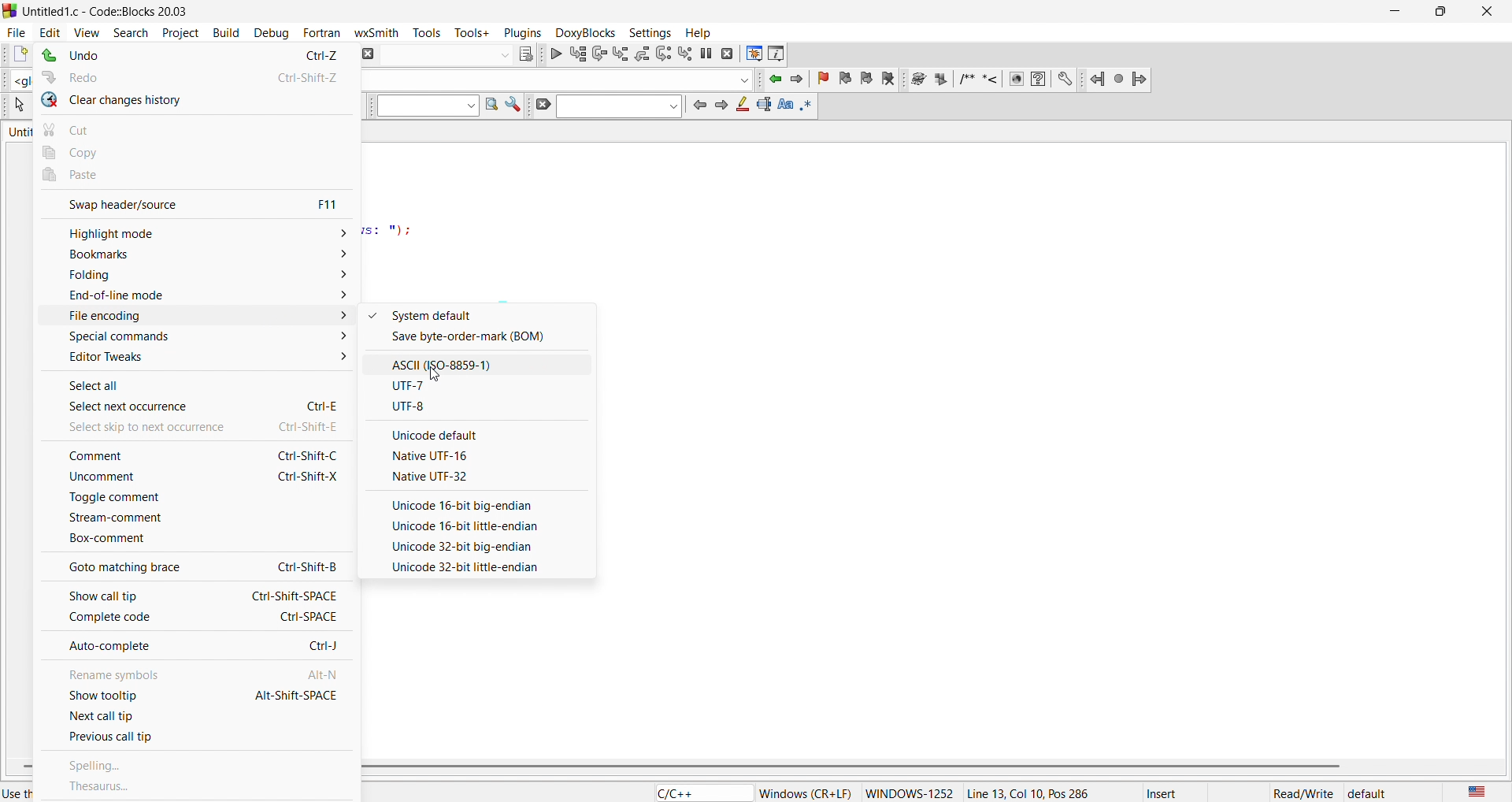 Image resolution: width=1512 pixels, height=802 pixels. What do you see at coordinates (1397, 10) in the screenshot?
I see `minimize` at bounding box center [1397, 10].